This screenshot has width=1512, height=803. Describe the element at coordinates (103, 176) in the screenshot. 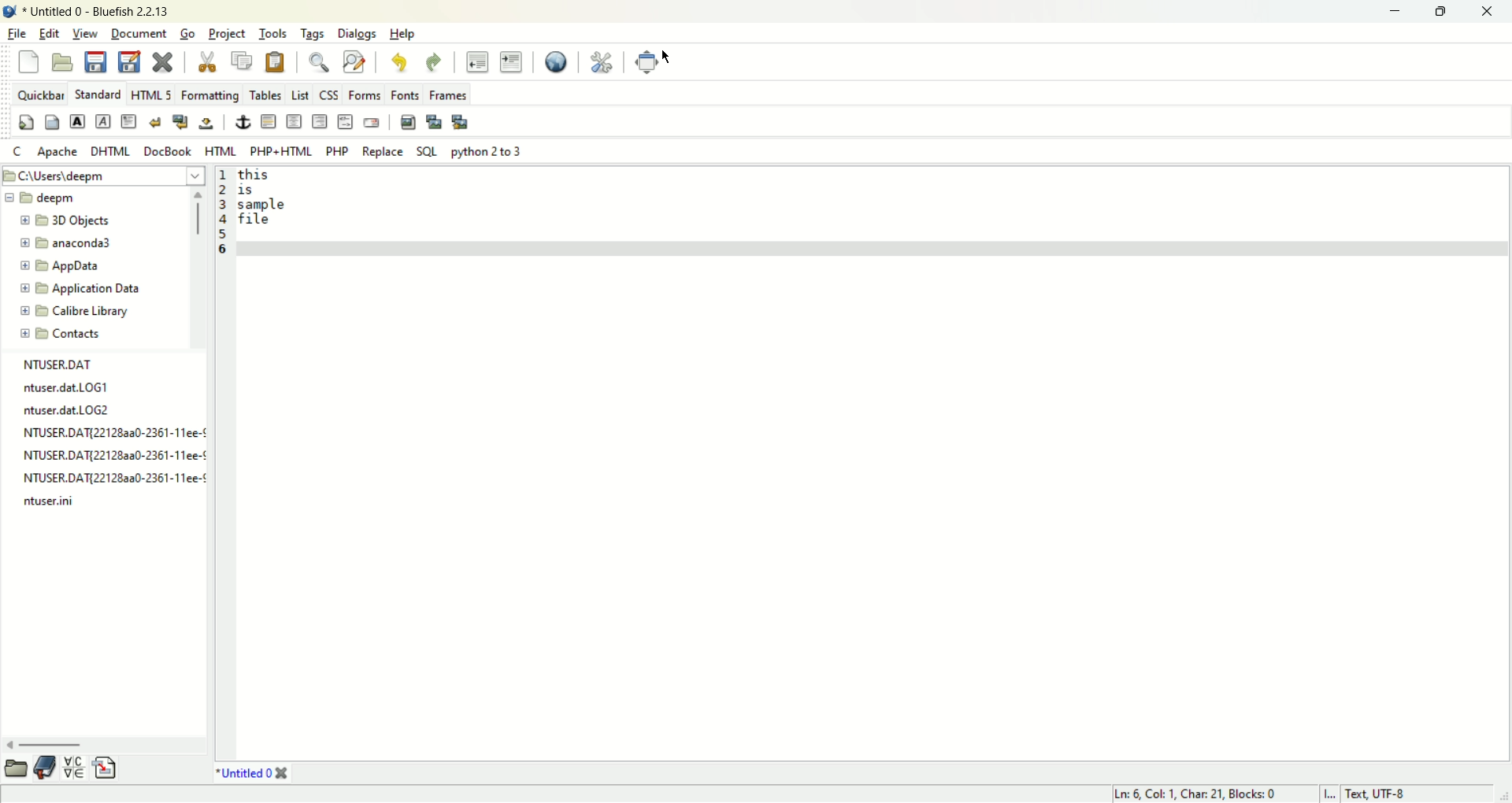

I see `location` at that location.